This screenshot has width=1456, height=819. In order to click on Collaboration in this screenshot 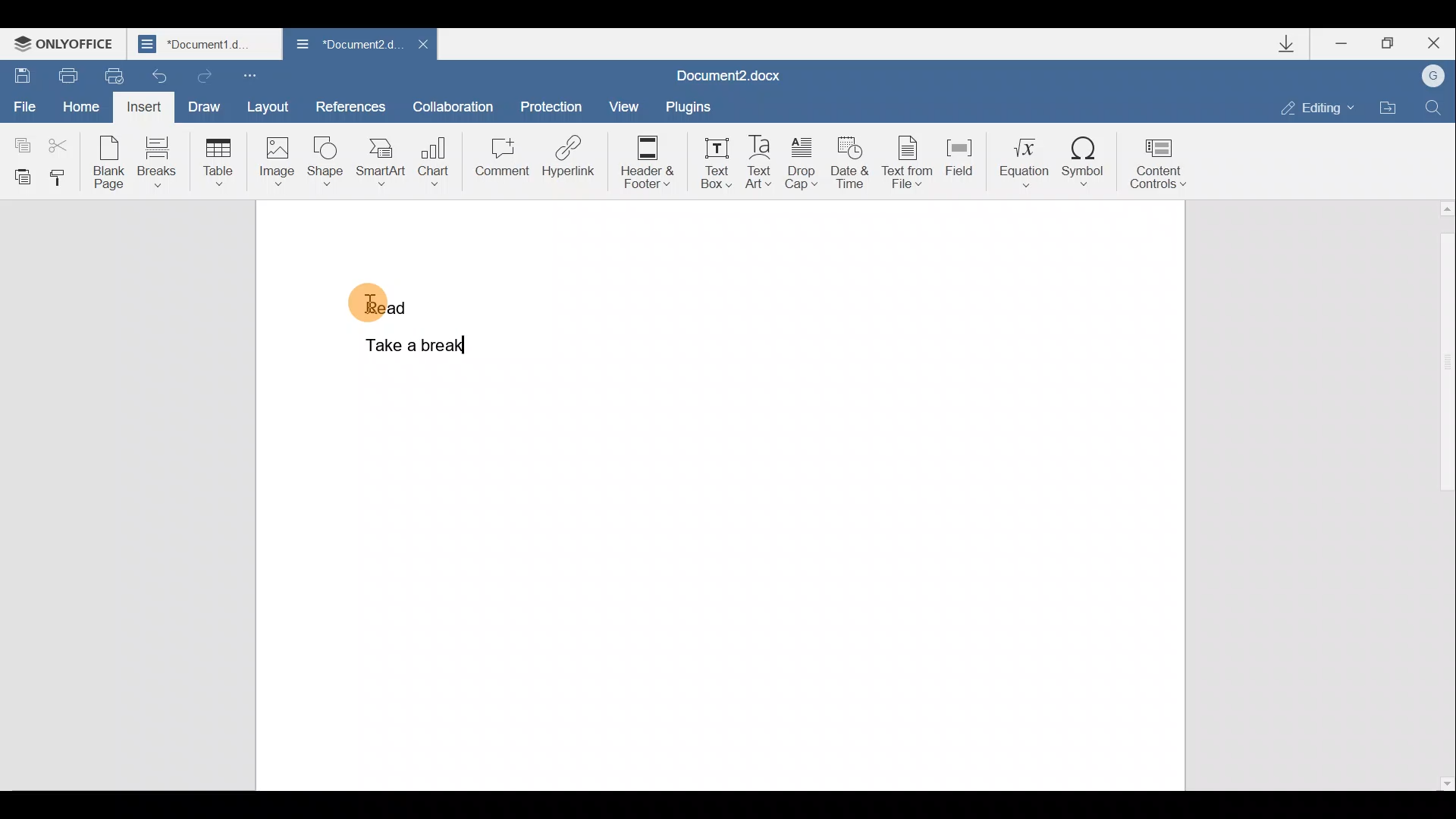, I will do `click(453, 104)`.